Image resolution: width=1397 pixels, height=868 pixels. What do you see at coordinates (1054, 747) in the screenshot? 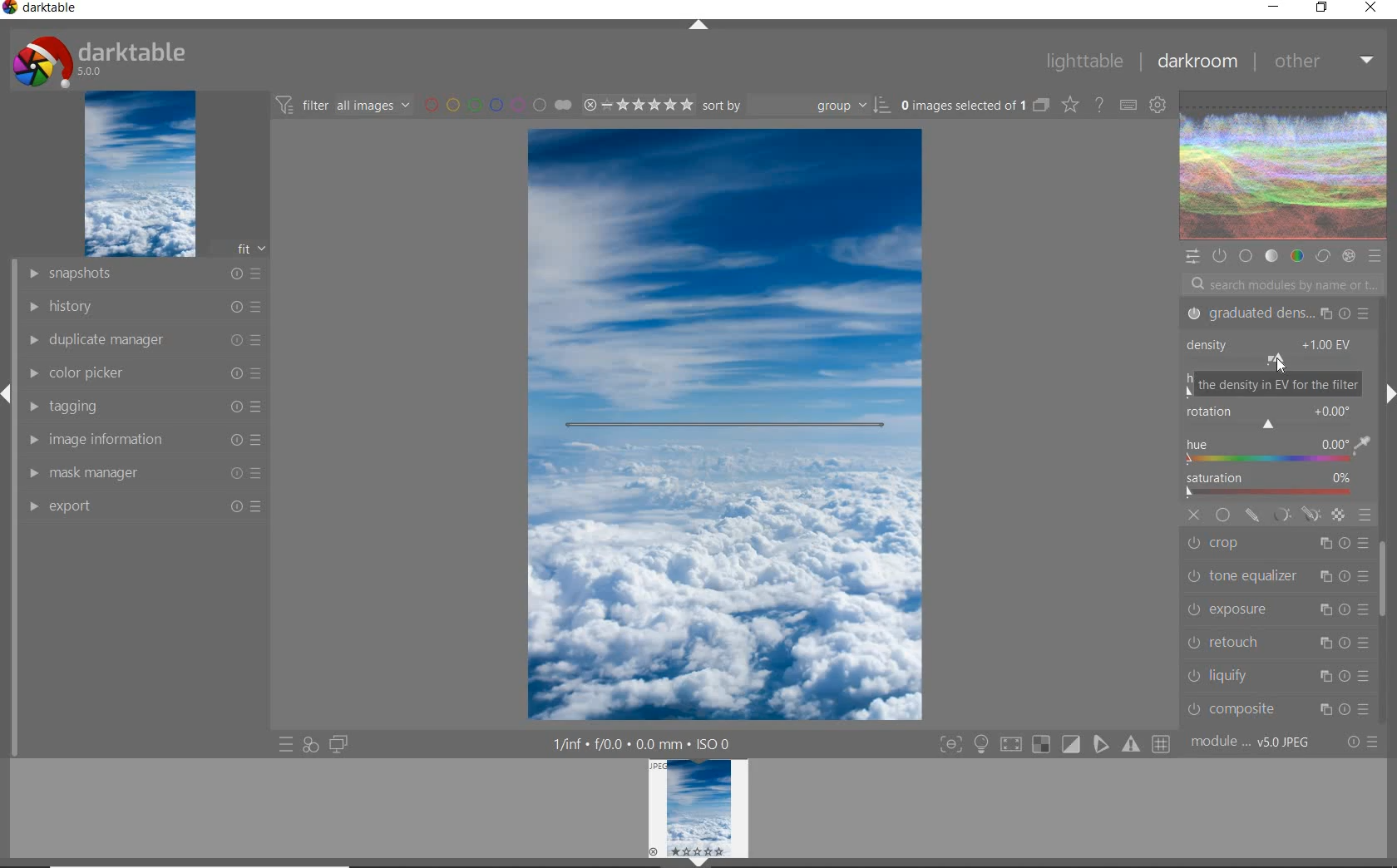
I see `TOGGLE MODES` at bounding box center [1054, 747].